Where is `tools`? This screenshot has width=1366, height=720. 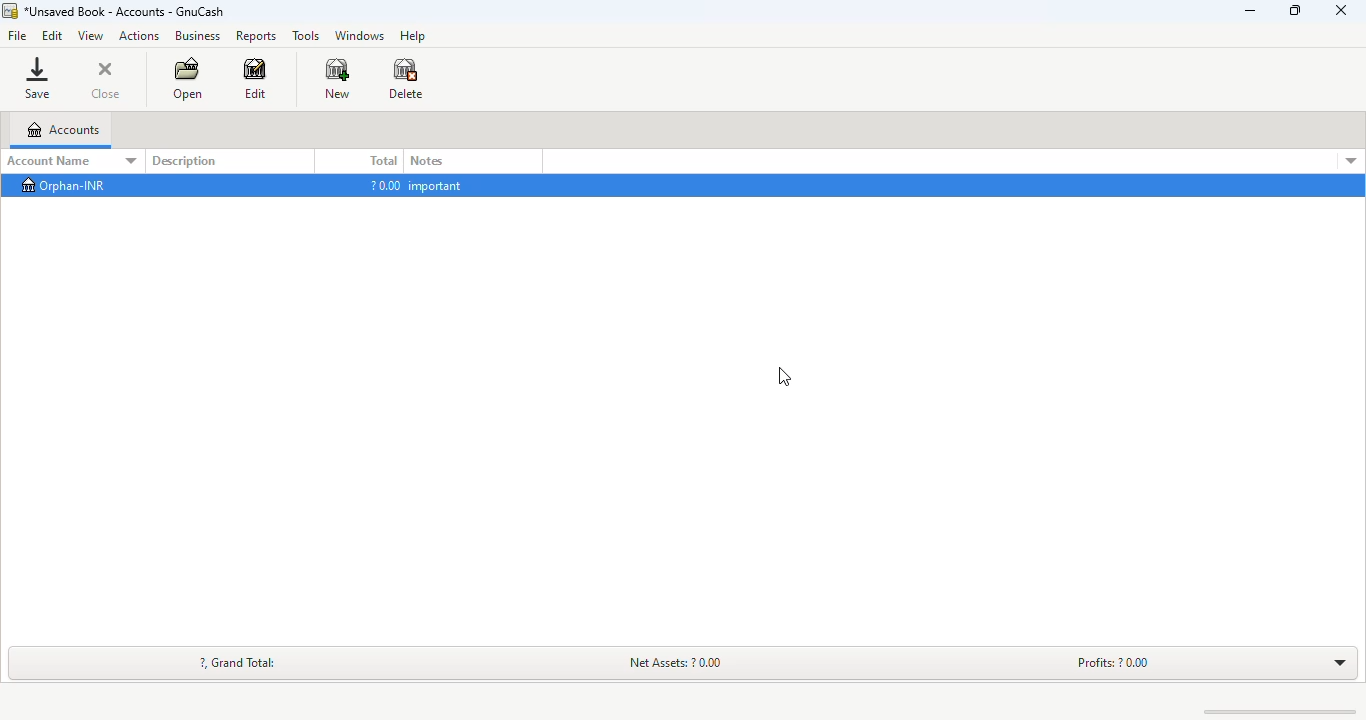
tools is located at coordinates (306, 37).